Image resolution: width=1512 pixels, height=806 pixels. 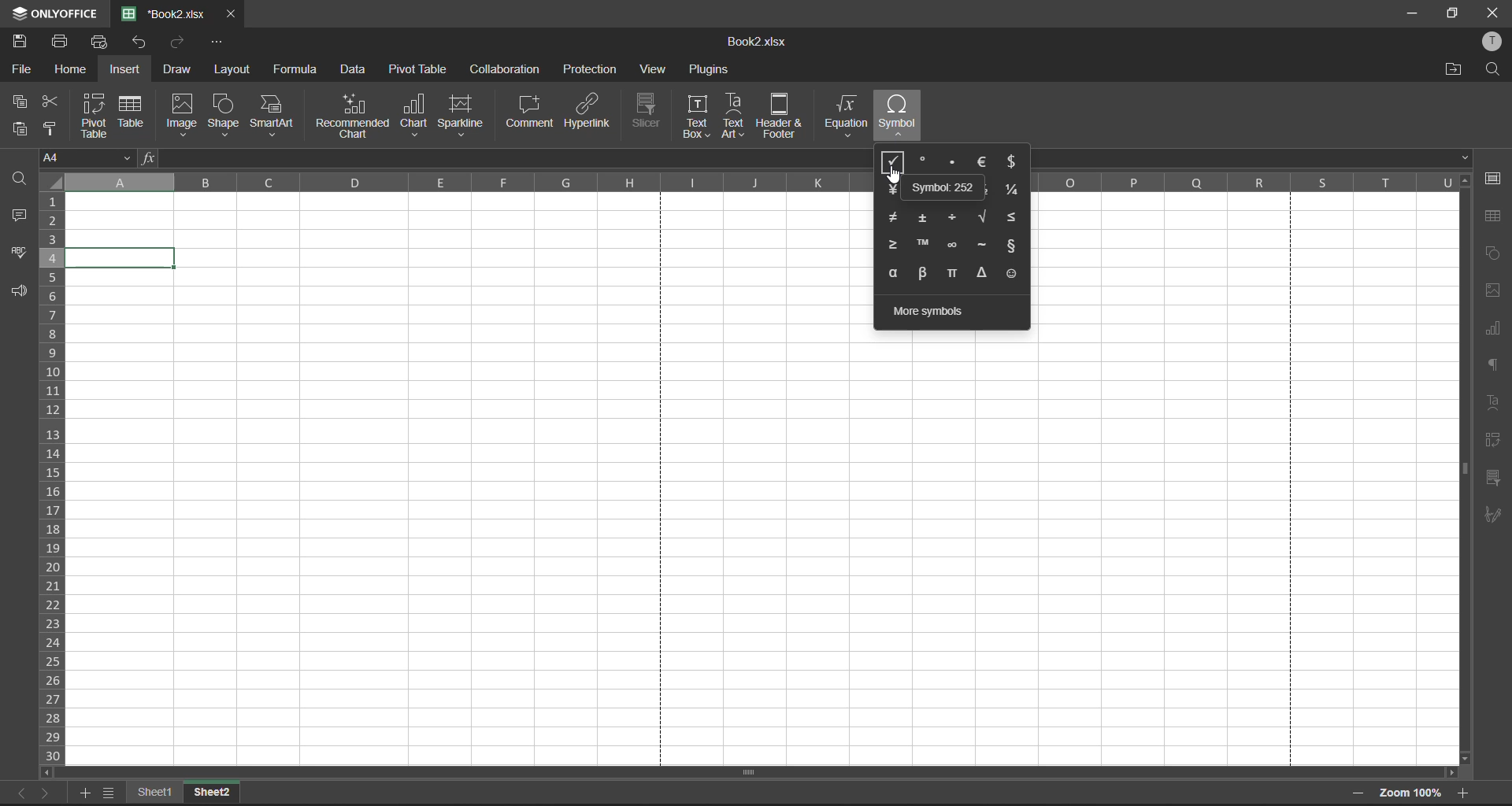 I want to click on text, so click(x=1495, y=404).